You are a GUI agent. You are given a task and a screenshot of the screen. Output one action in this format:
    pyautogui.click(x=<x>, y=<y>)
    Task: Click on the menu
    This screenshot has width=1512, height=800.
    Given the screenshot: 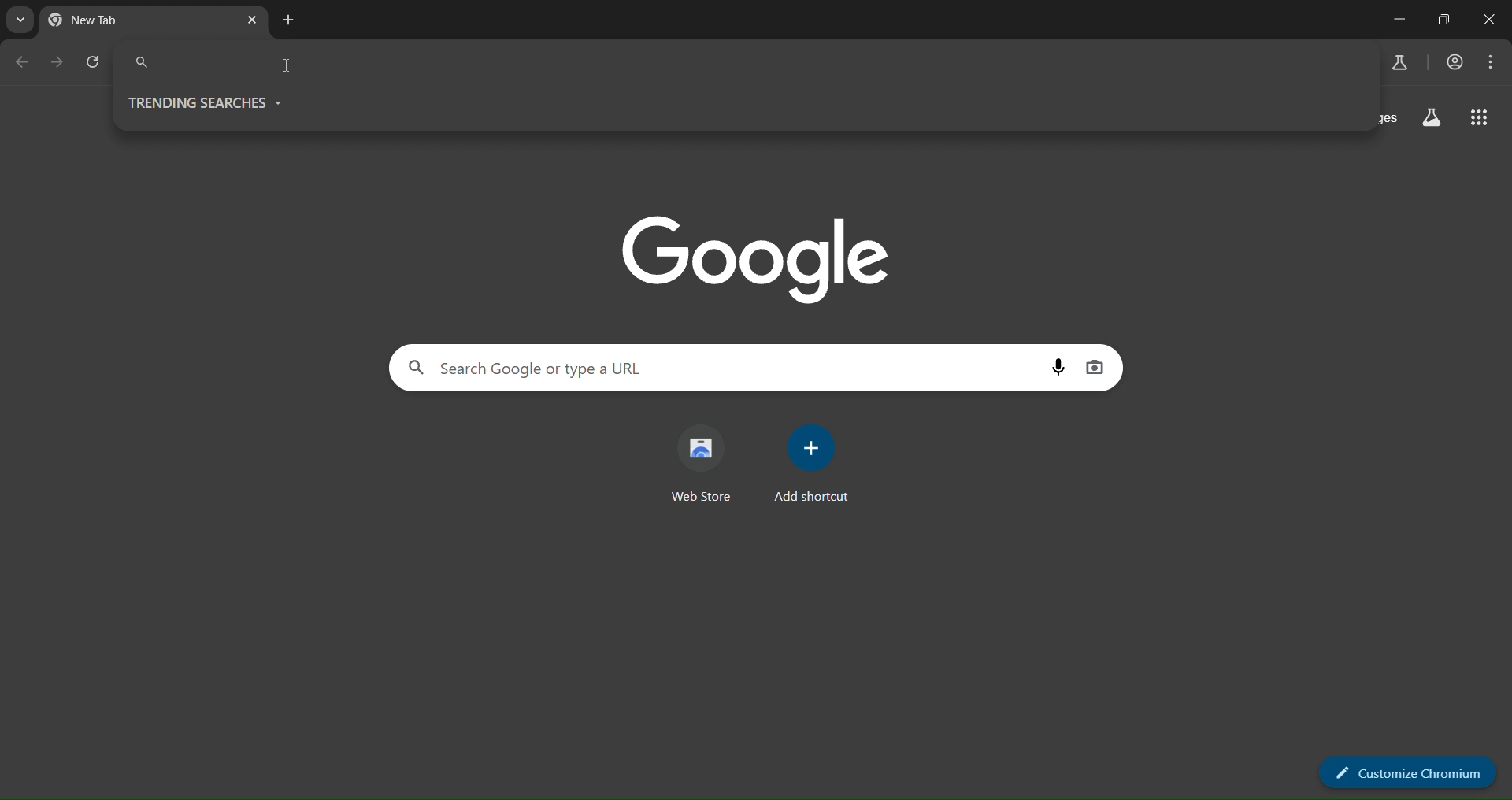 What is the action you would take?
    pyautogui.click(x=1492, y=61)
    